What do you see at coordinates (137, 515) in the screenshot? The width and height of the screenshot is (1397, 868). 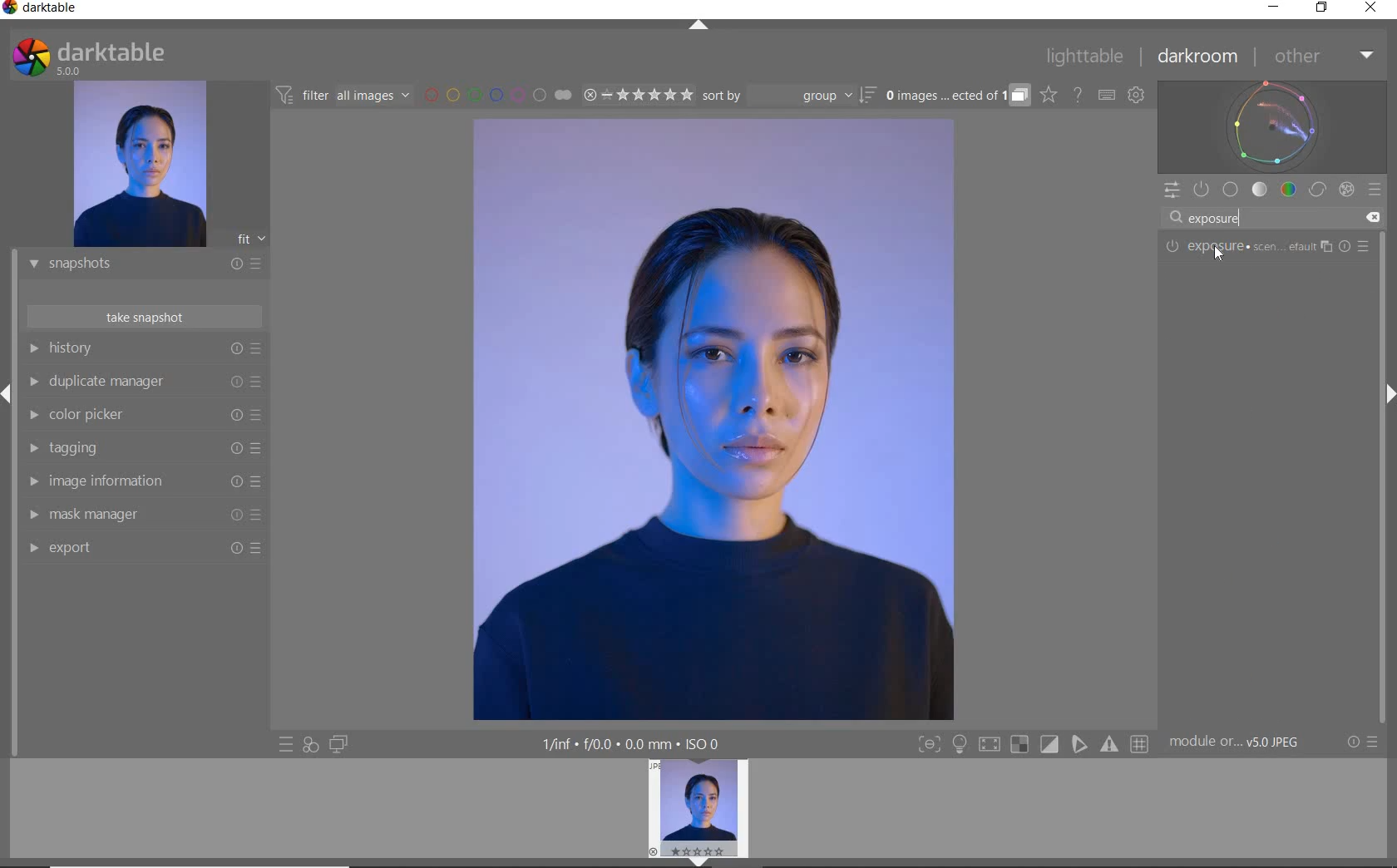 I see `MASK MANAGER` at bounding box center [137, 515].